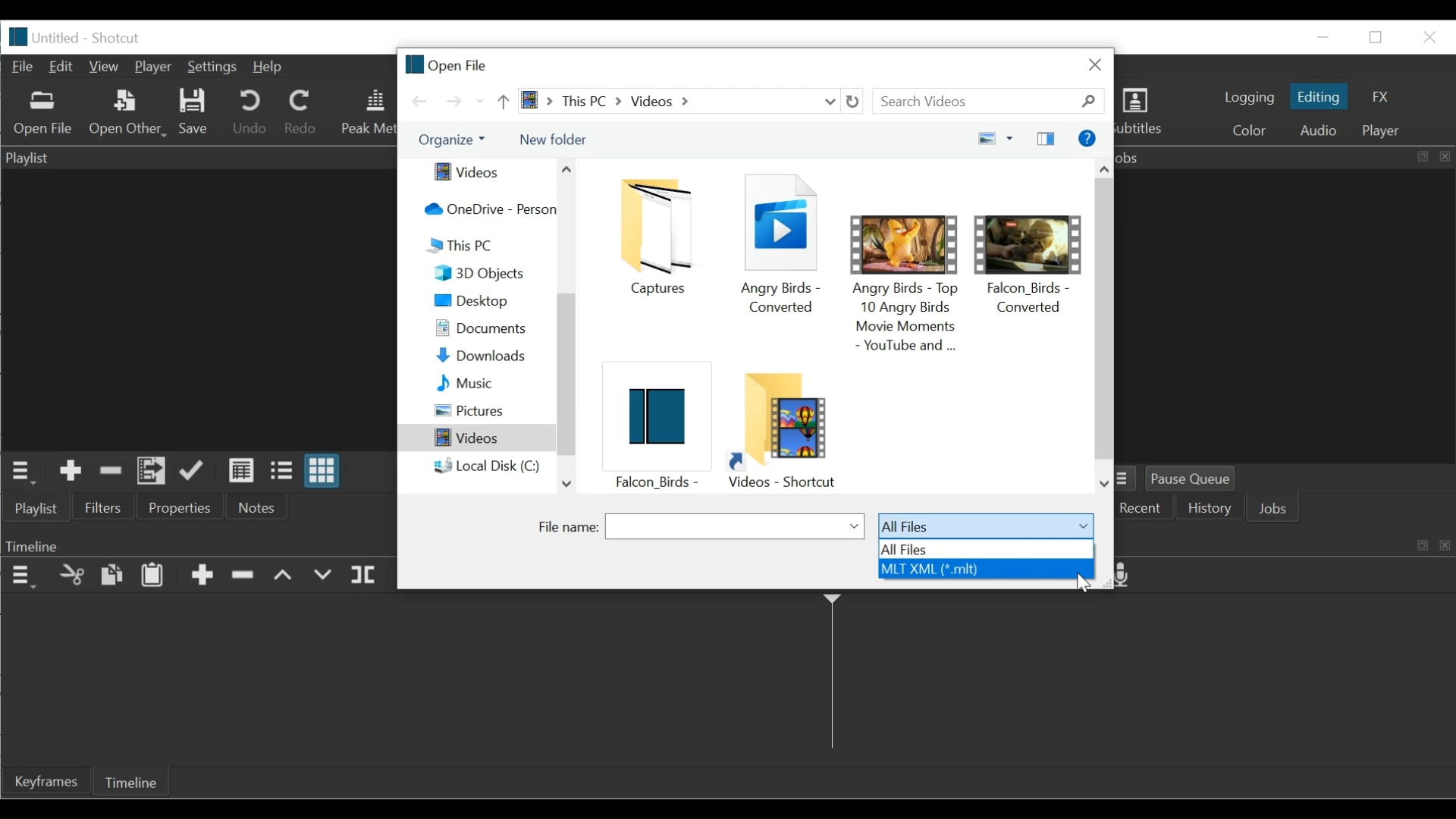 Image resolution: width=1456 pixels, height=819 pixels. Describe the element at coordinates (421, 101) in the screenshot. I see `Go back` at that location.